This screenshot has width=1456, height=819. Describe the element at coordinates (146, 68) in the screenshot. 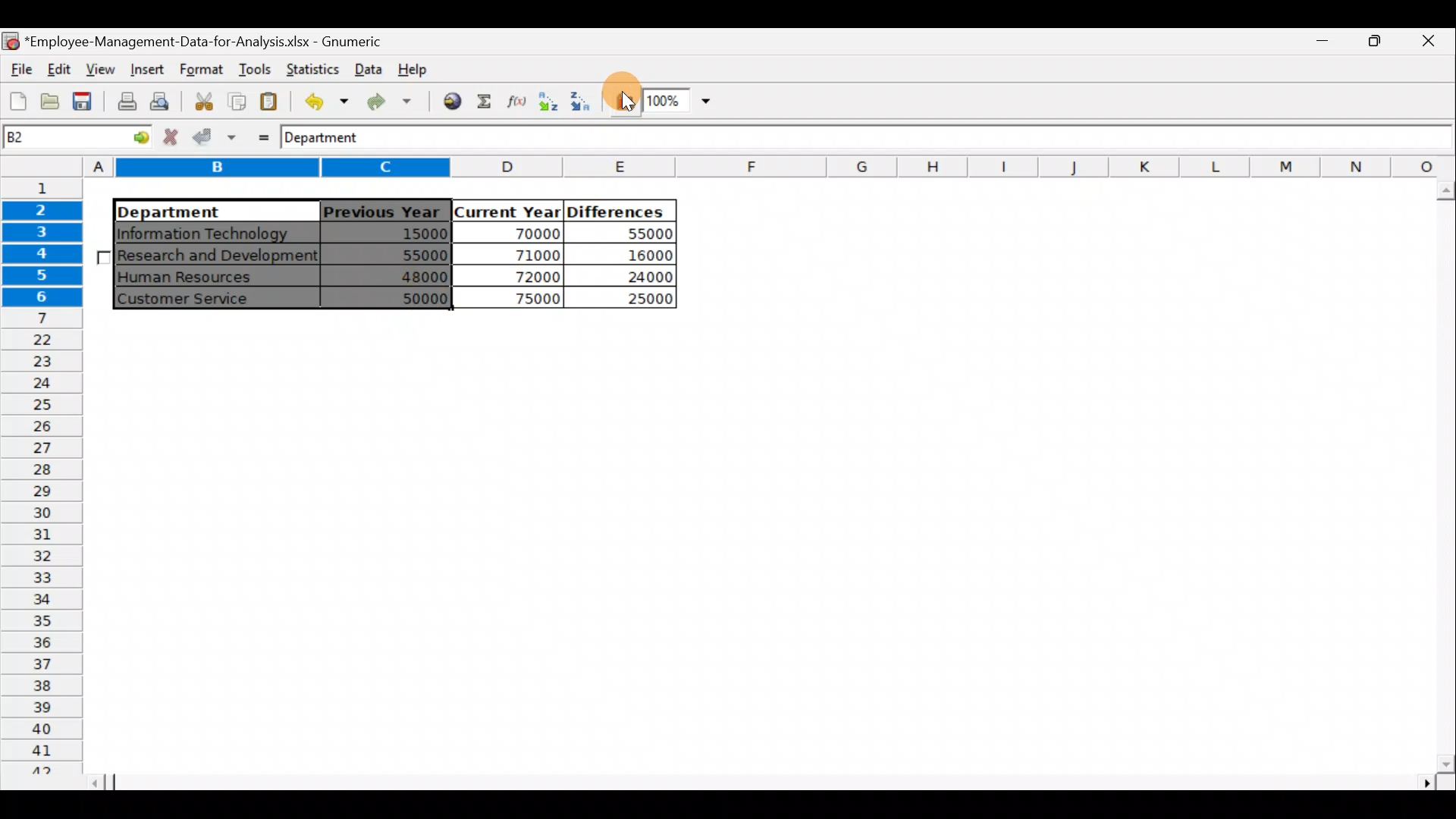

I see `Insert` at that location.